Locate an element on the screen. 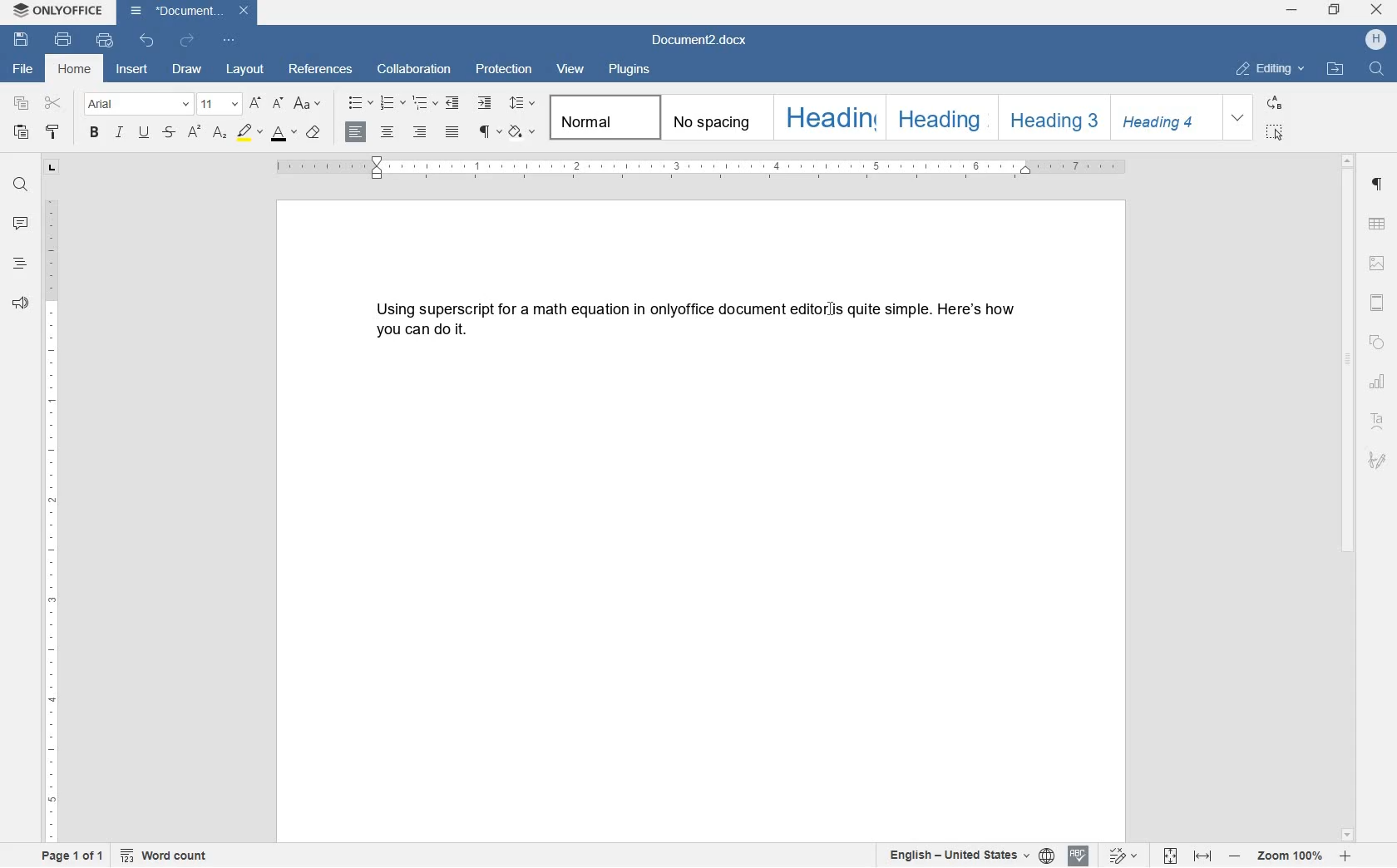 This screenshot has height=868, width=1397. tab is located at coordinates (52, 169).